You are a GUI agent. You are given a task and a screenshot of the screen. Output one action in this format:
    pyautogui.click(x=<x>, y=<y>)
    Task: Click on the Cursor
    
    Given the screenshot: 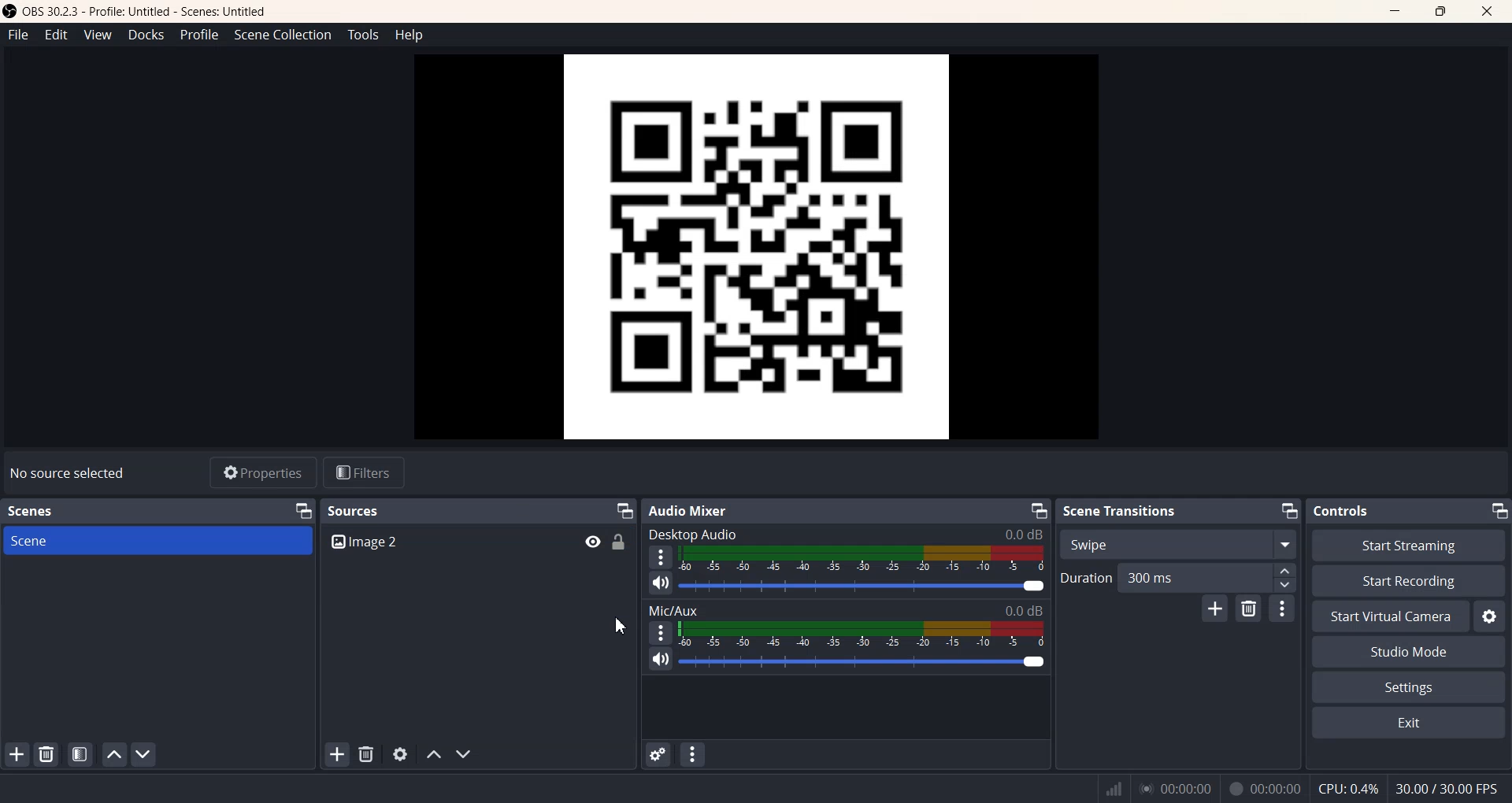 What is the action you would take?
    pyautogui.click(x=600, y=553)
    